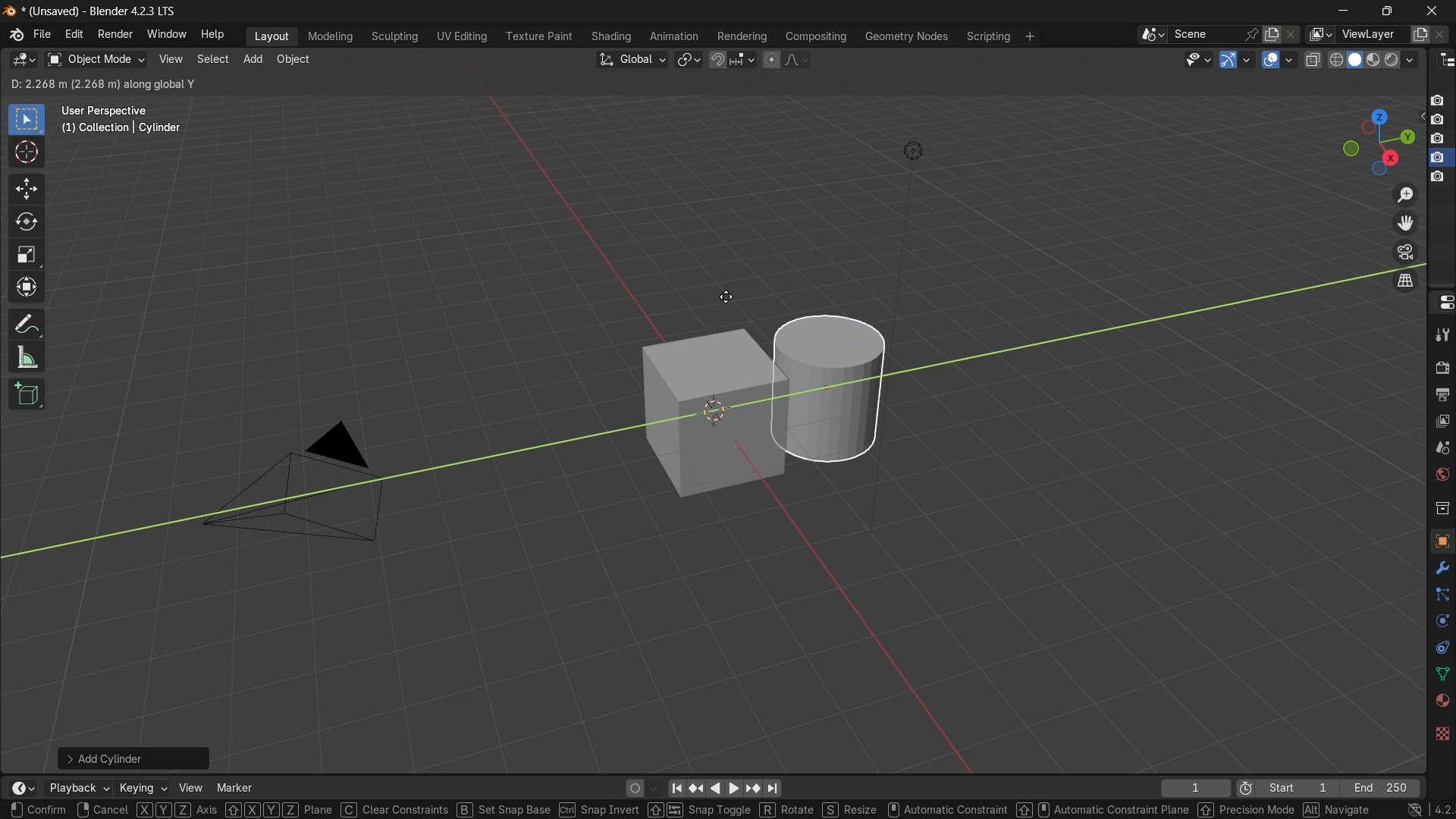  Describe the element at coordinates (212, 59) in the screenshot. I see `select` at that location.